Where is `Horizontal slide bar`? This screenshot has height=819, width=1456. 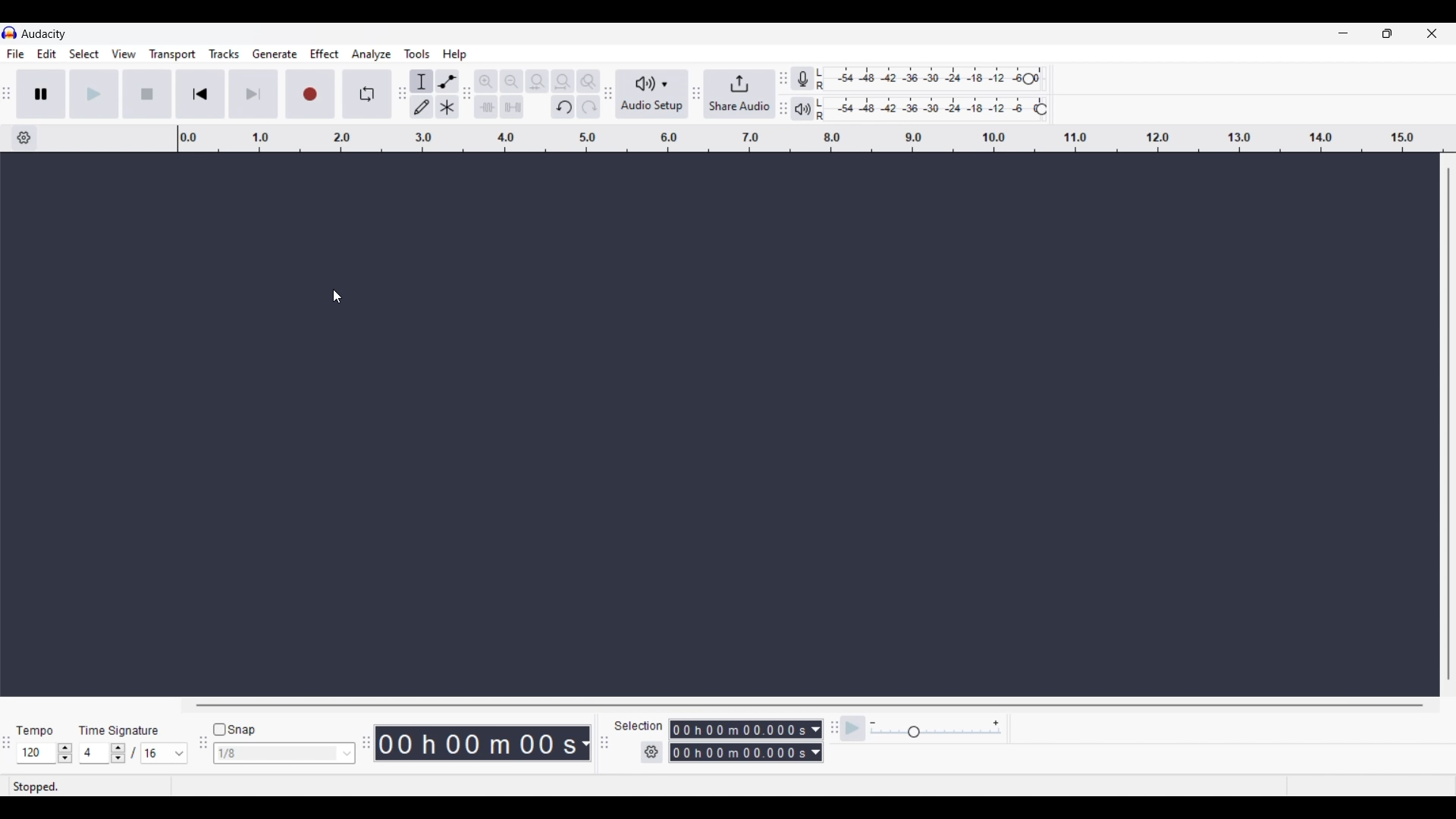 Horizontal slide bar is located at coordinates (810, 705).